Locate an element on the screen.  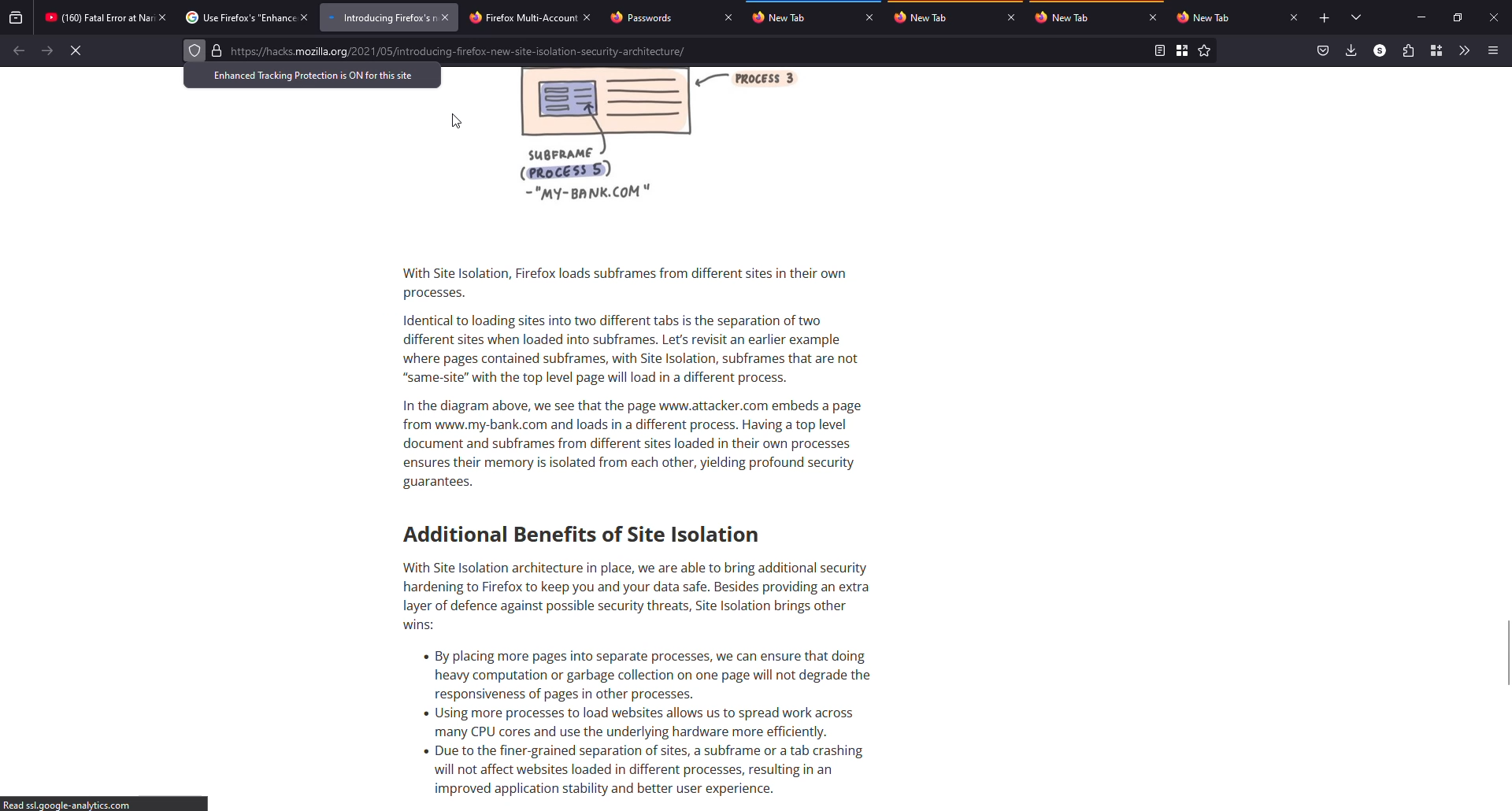
close is located at coordinates (869, 17).